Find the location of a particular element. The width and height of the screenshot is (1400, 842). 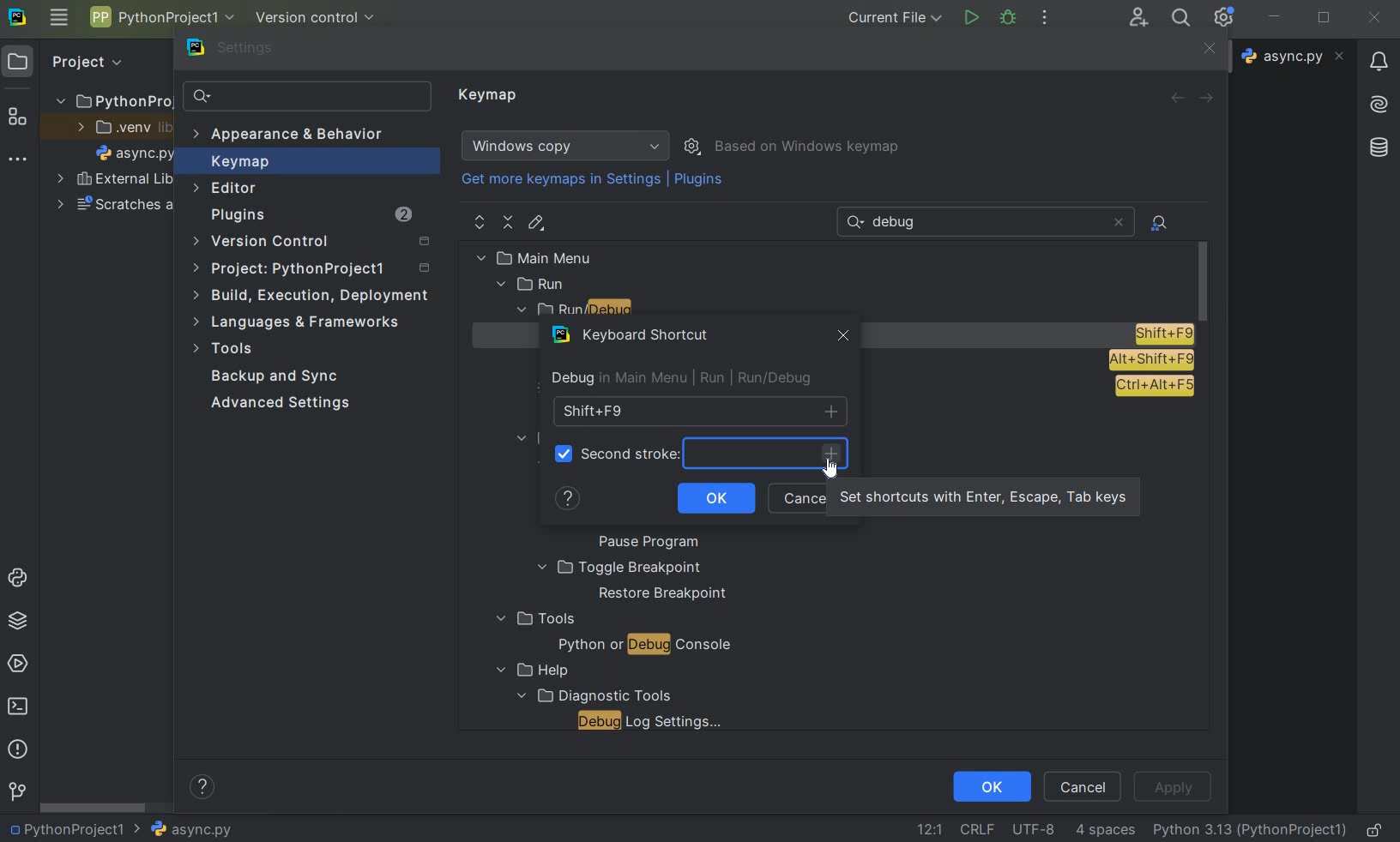

.venv is located at coordinates (124, 129).